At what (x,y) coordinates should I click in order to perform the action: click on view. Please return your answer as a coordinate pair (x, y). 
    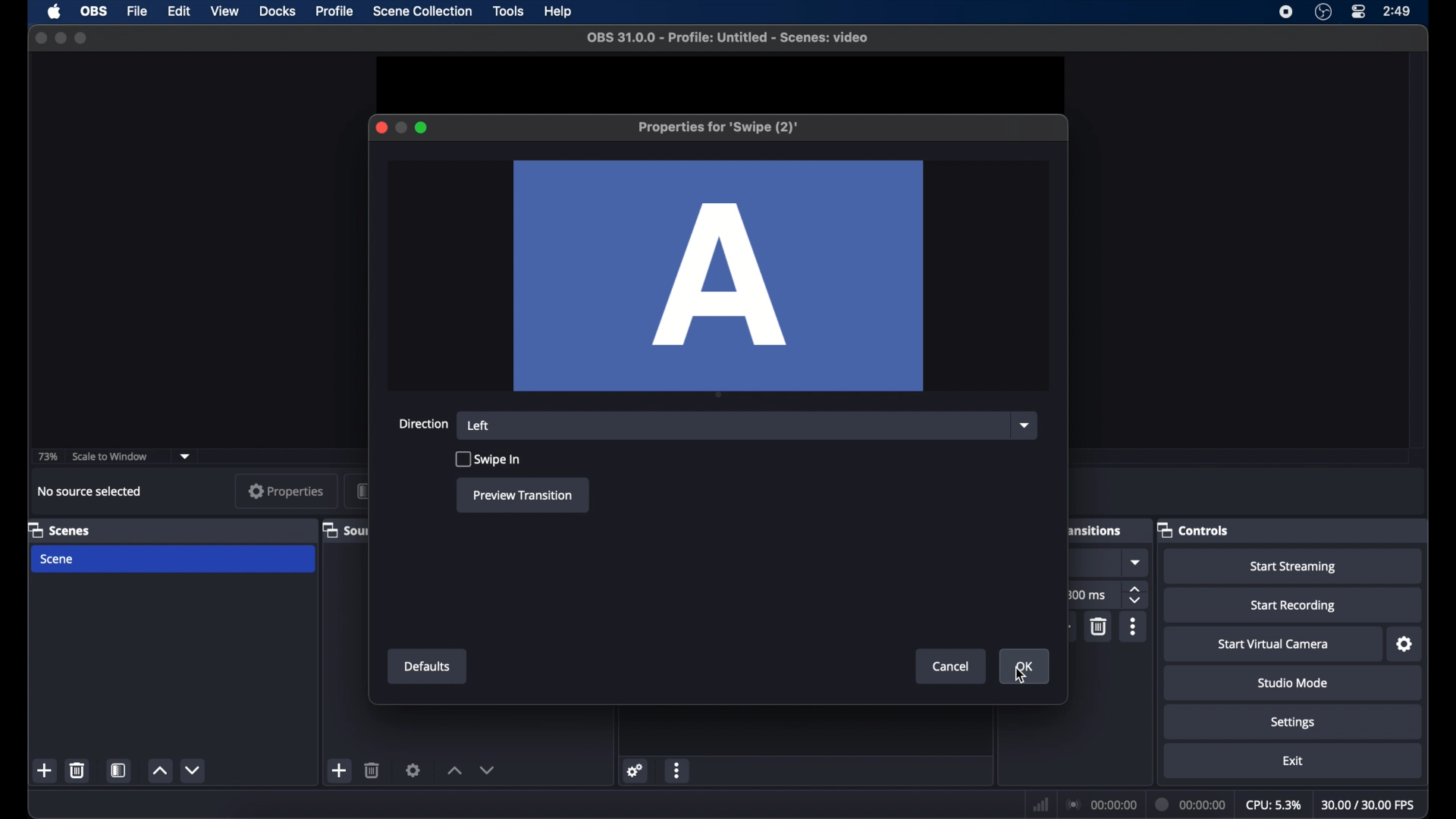
    Looking at the image, I should click on (224, 10).